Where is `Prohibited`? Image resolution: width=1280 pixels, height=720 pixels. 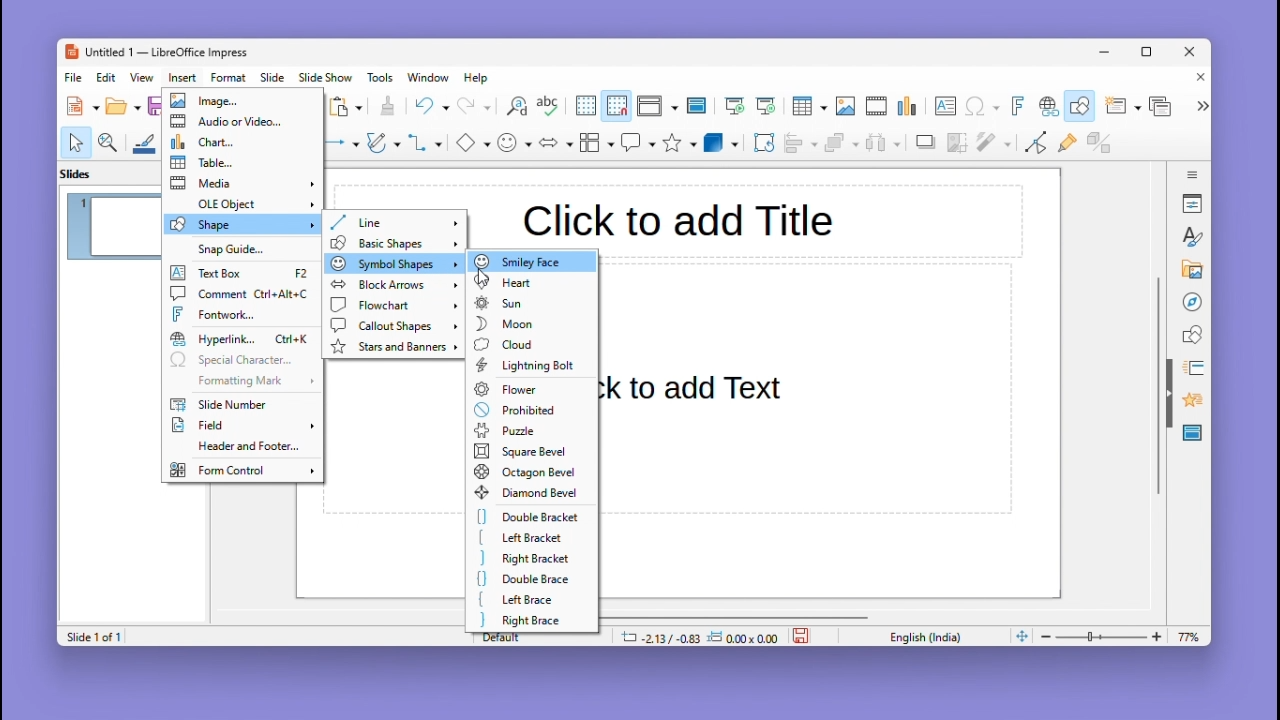
Prohibited is located at coordinates (528, 409).